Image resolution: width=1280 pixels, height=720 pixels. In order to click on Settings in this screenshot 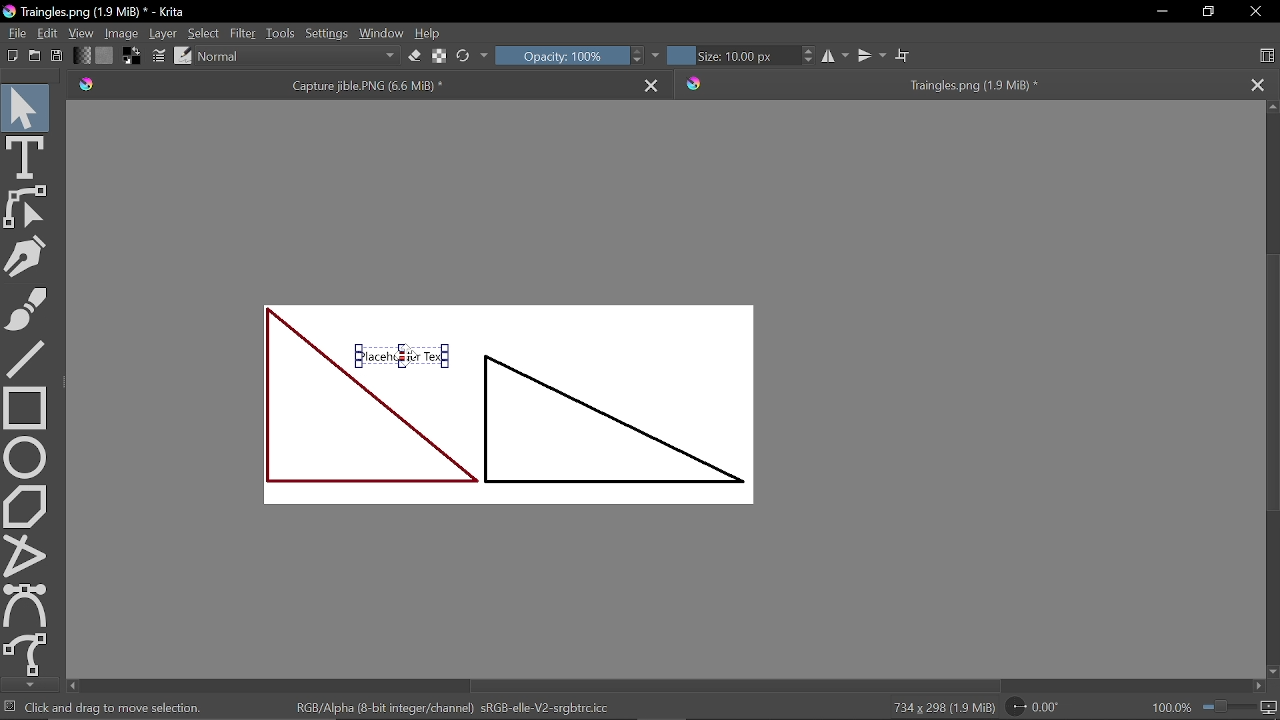, I will do `click(326, 32)`.